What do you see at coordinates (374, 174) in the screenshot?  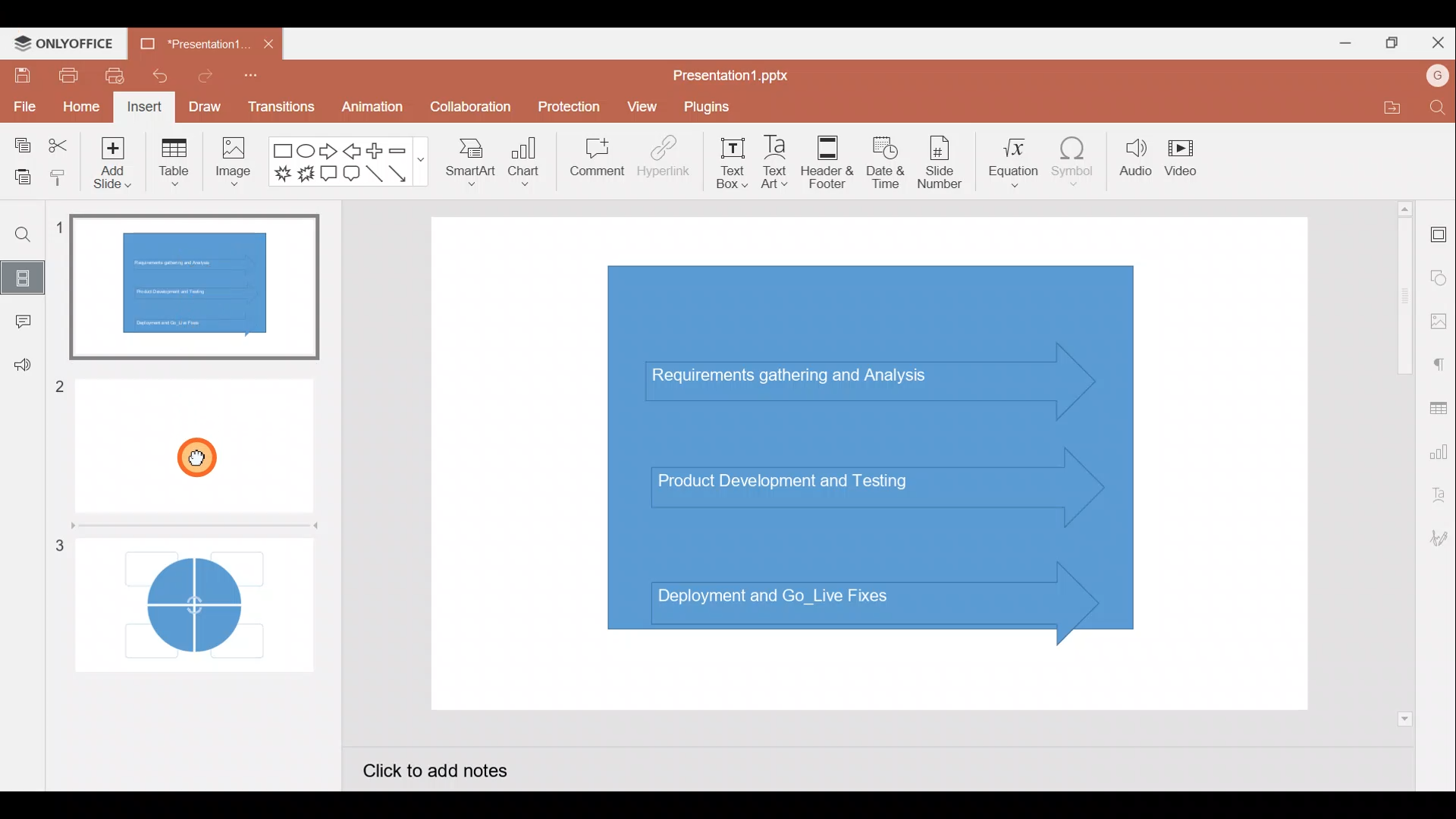 I see `Line` at bounding box center [374, 174].